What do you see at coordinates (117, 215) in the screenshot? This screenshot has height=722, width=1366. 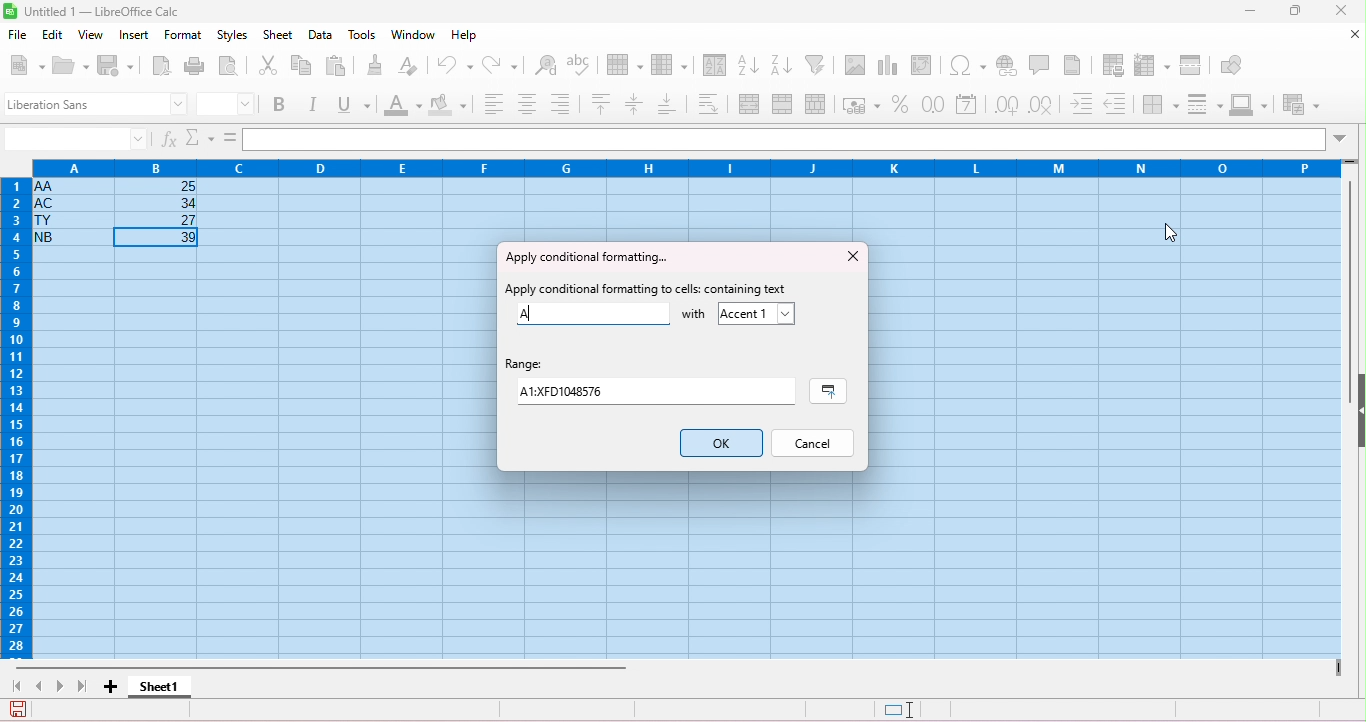 I see `cell ranges with data` at bounding box center [117, 215].